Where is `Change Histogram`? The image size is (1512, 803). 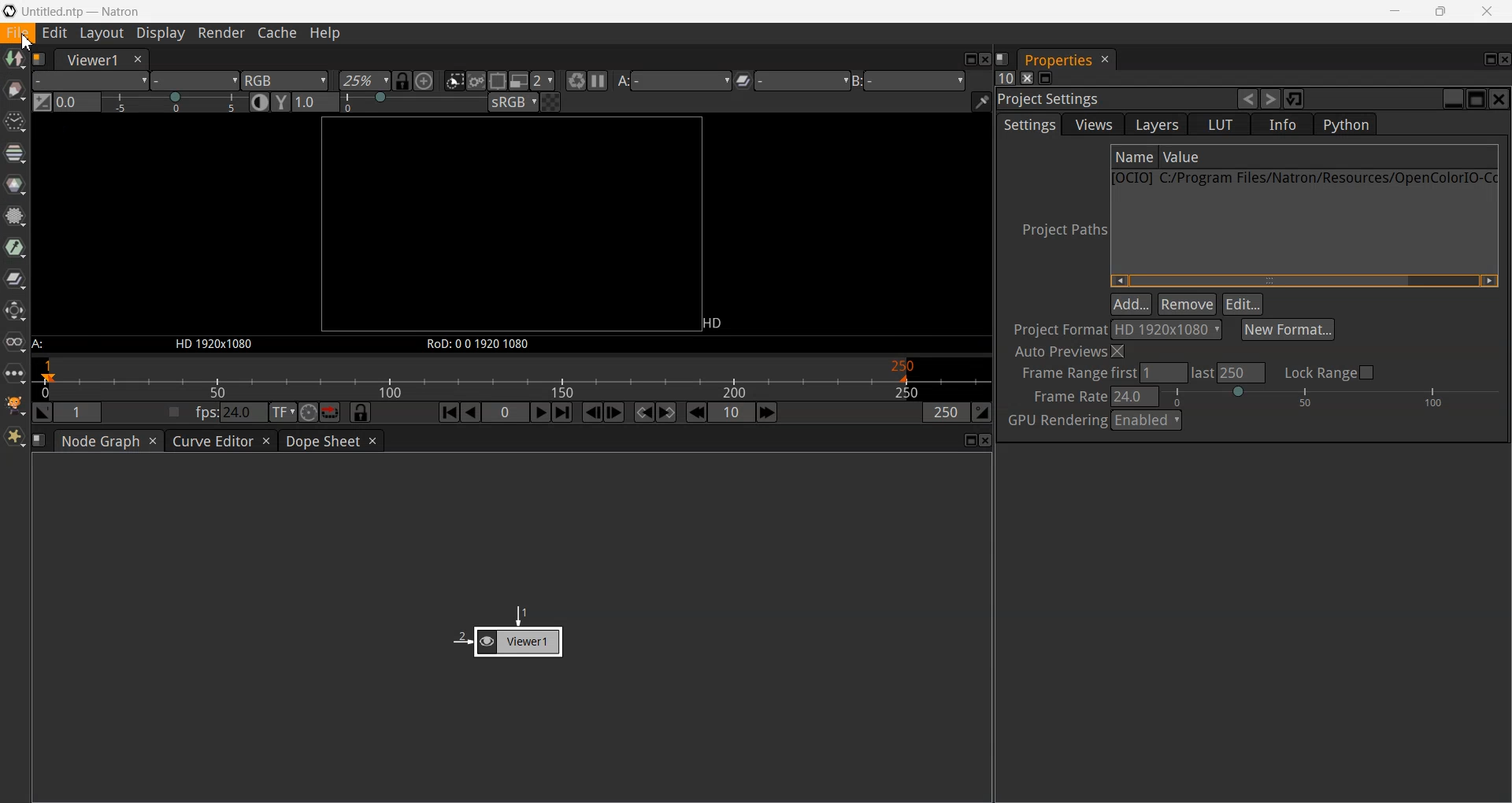 Change Histogram is located at coordinates (43, 102).